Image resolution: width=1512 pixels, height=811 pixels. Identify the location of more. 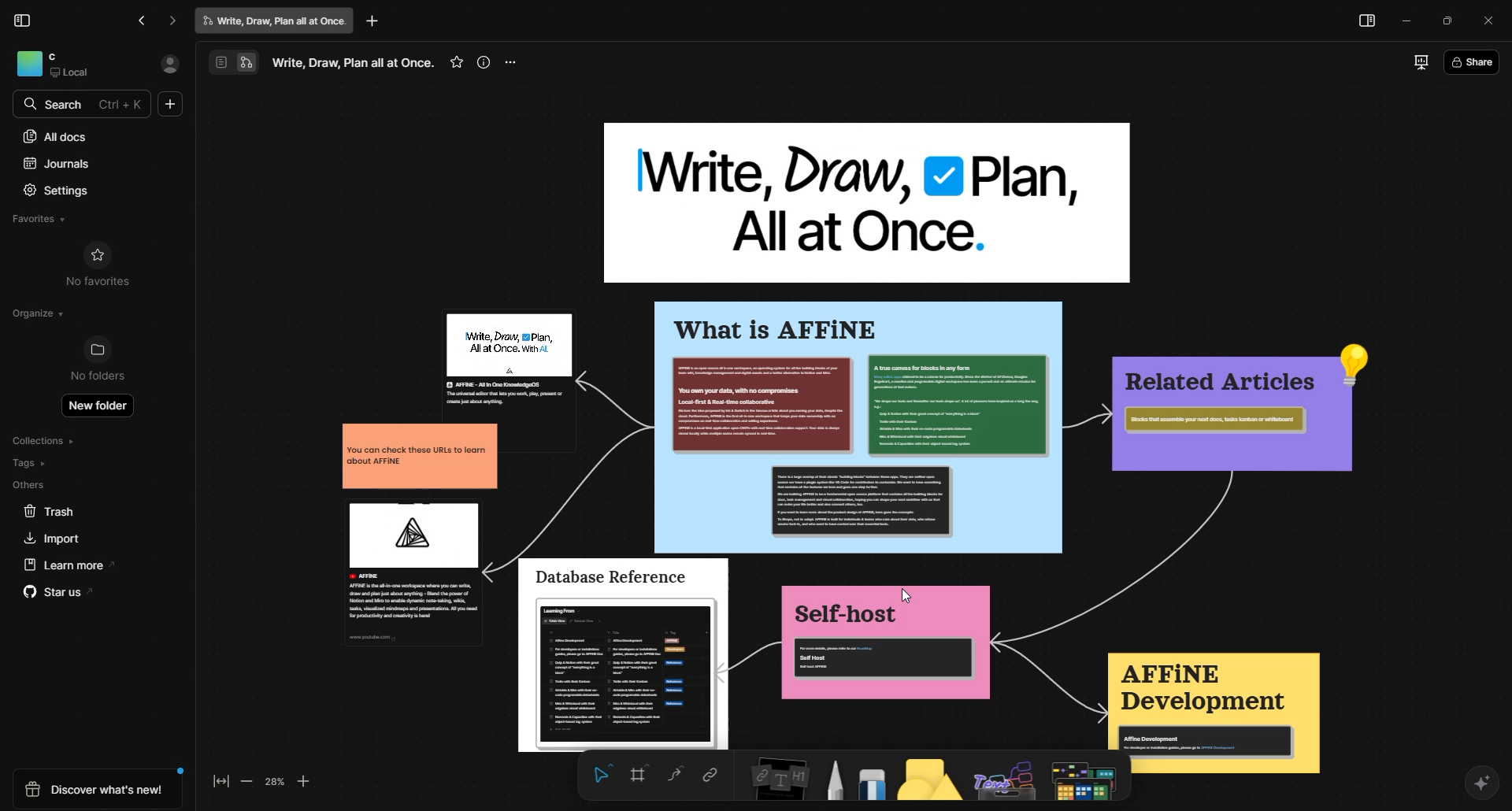
(517, 61).